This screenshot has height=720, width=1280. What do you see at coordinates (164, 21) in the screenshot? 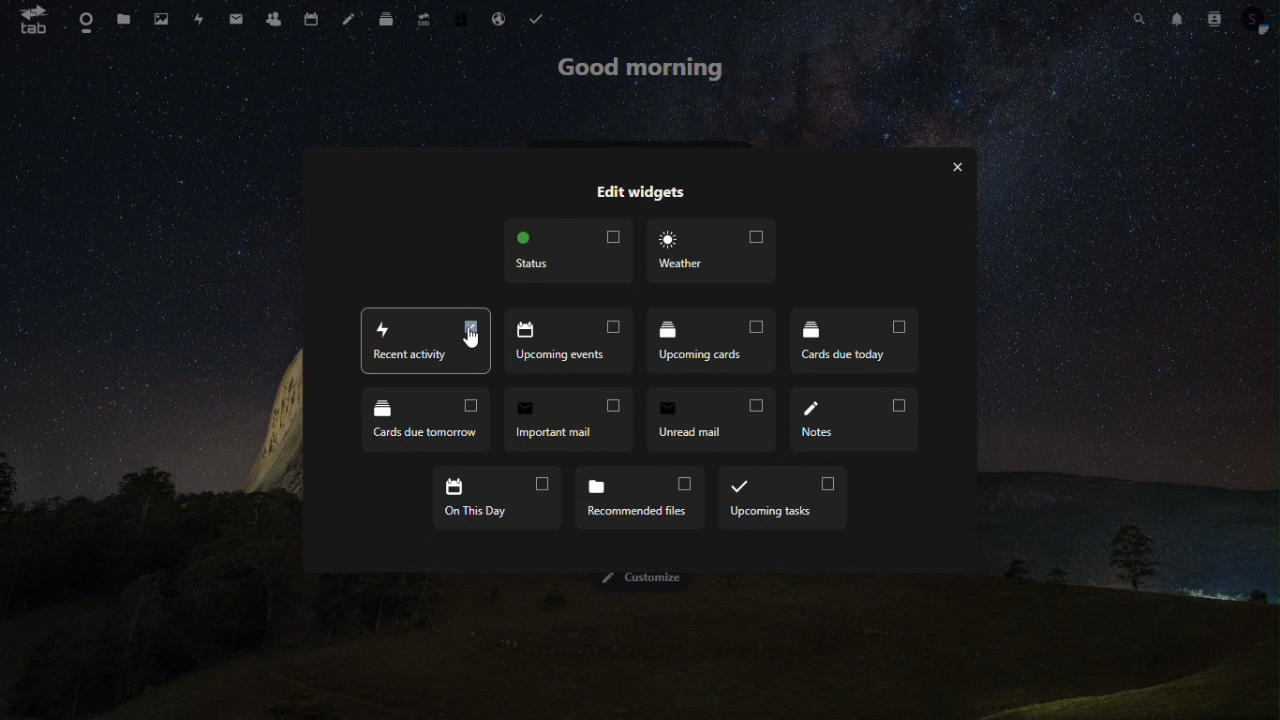
I see `photos` at bounding box center [164, 21].